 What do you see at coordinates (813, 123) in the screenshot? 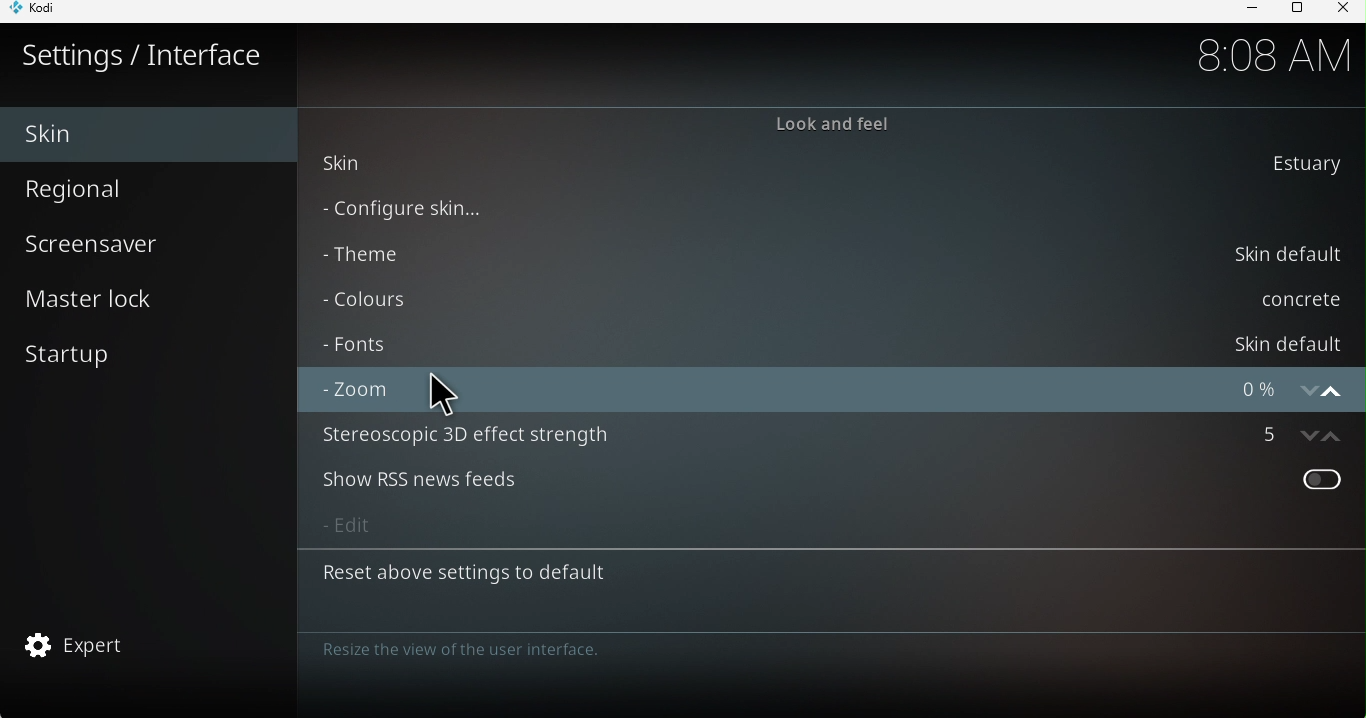
I see `Look and feel` at bounding box center [813, 123].